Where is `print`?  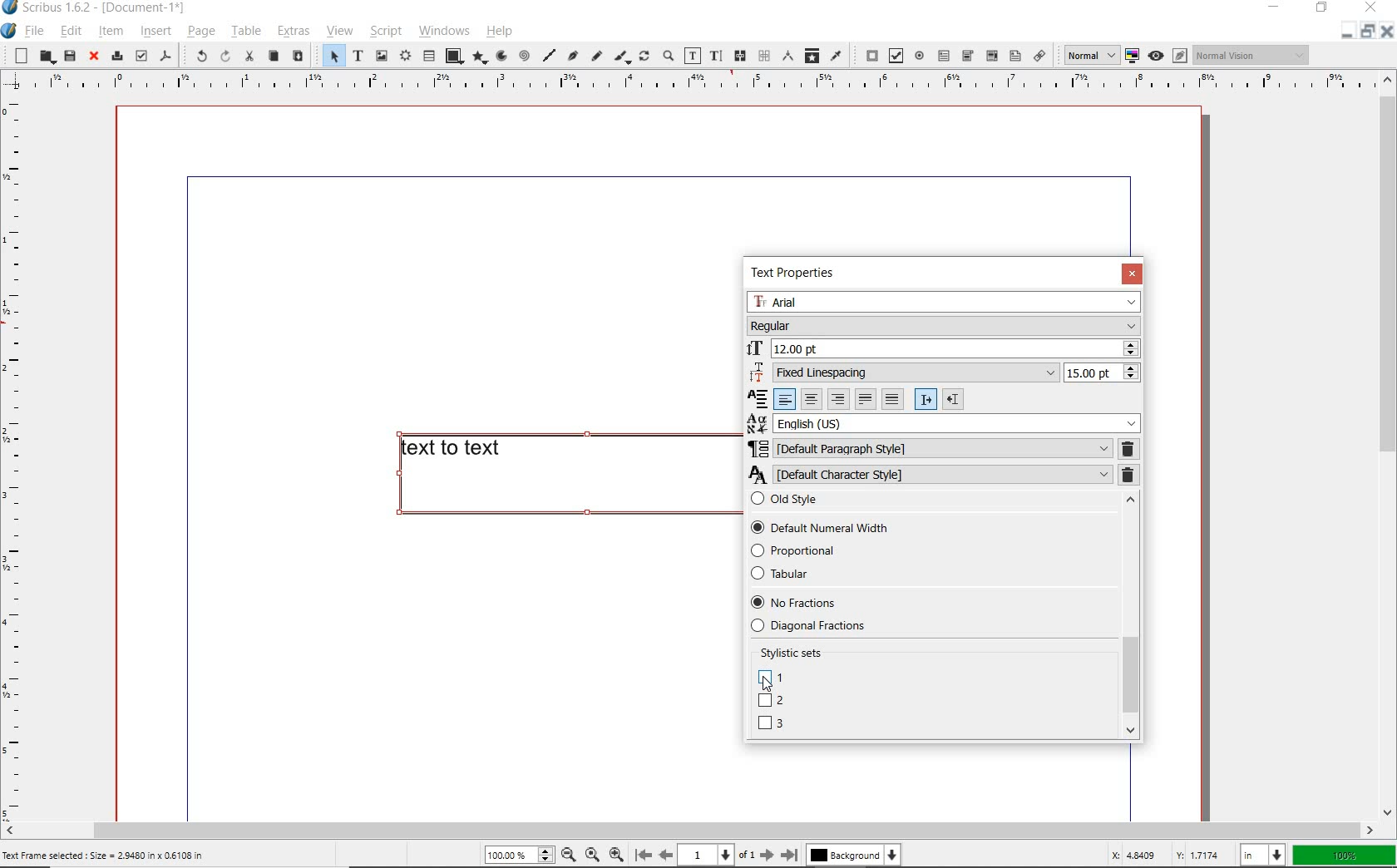
print is located at coordinates (116, 55).